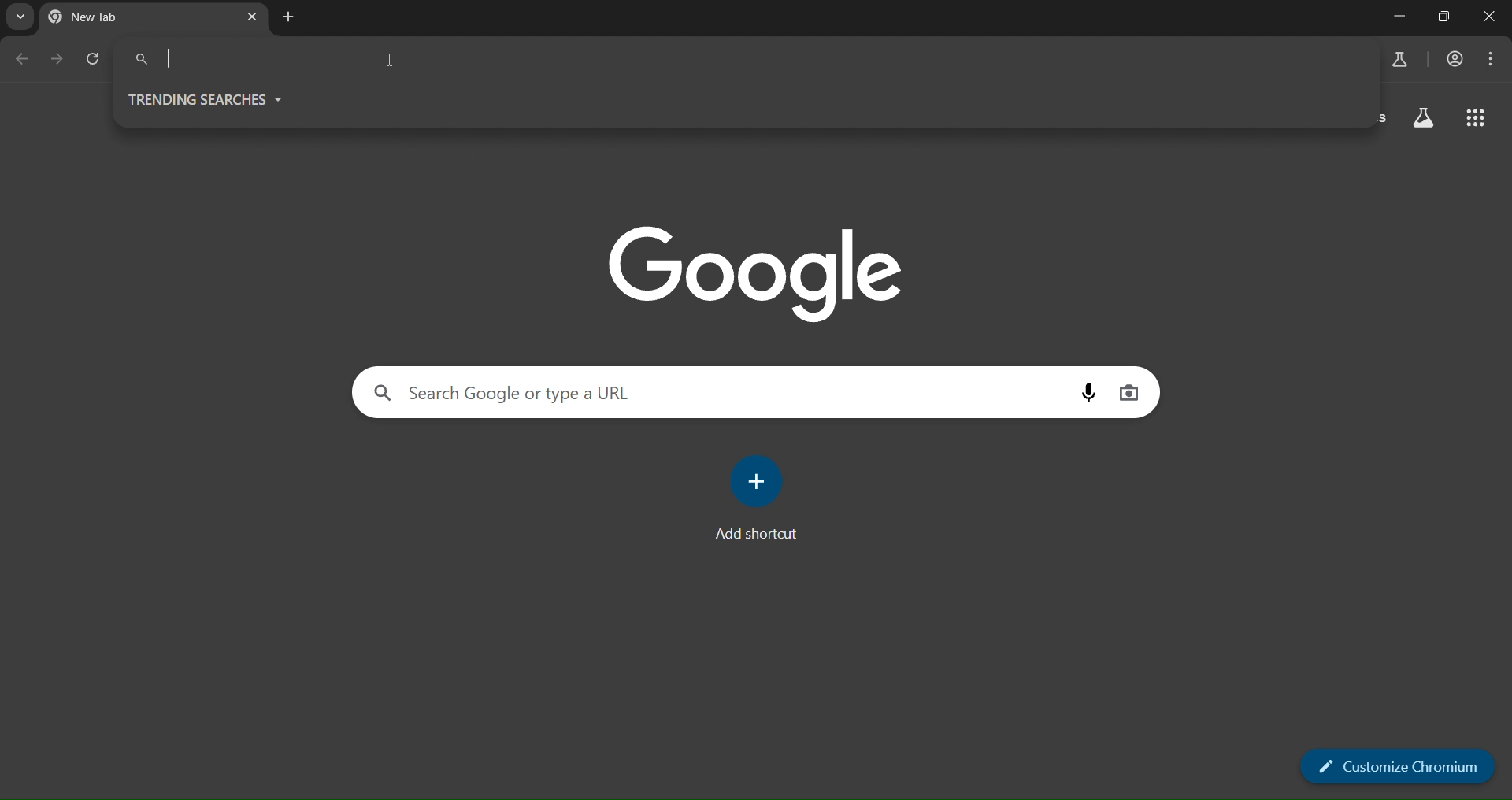  I want to click on close tab, so click(254, 15).